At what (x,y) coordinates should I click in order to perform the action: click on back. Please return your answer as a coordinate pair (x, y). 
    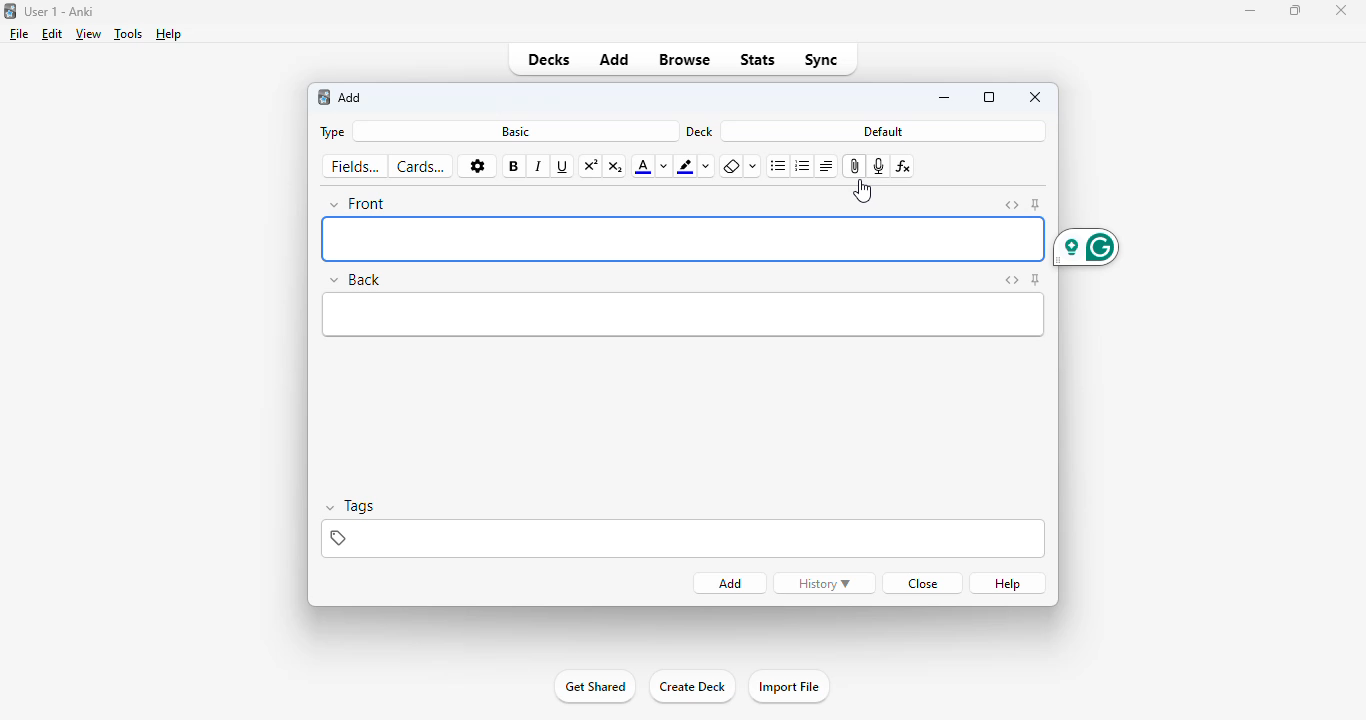
    Looking at the image, I should click on (356, 280).